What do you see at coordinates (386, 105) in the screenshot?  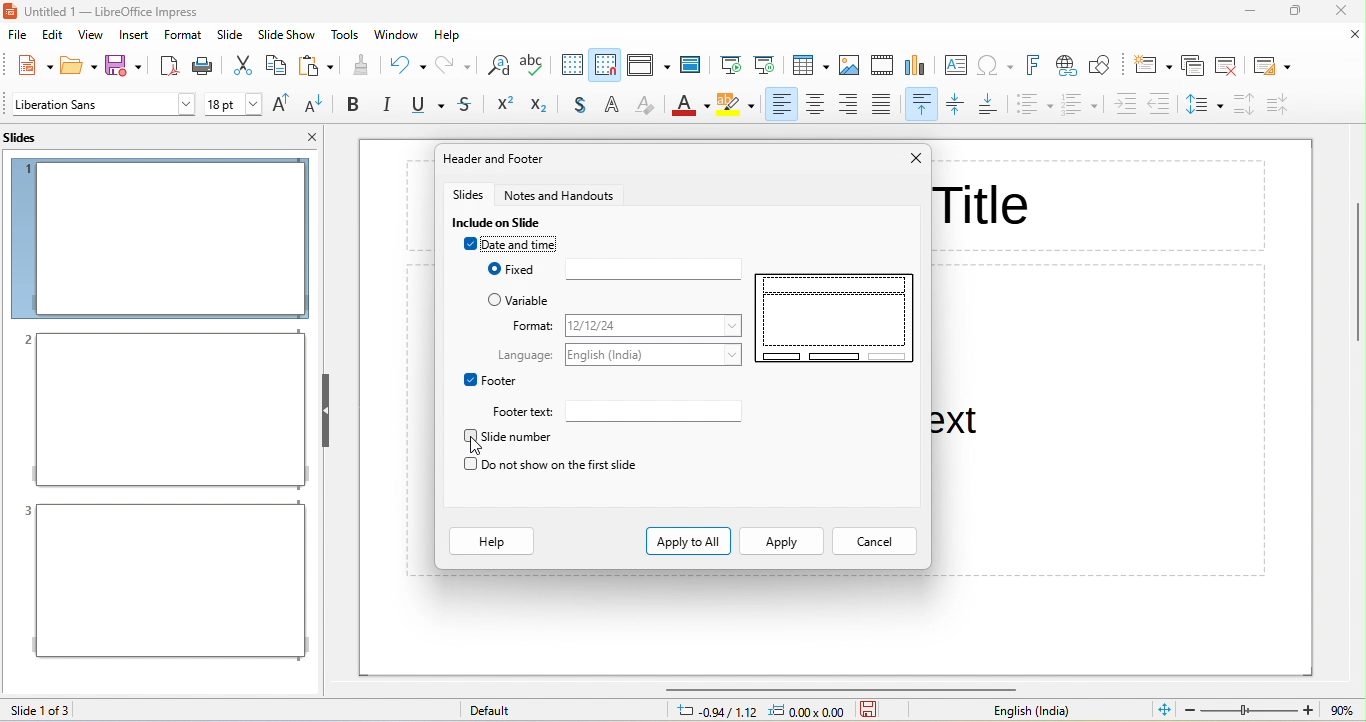 I see `italic` at bounding box center [386, 105].